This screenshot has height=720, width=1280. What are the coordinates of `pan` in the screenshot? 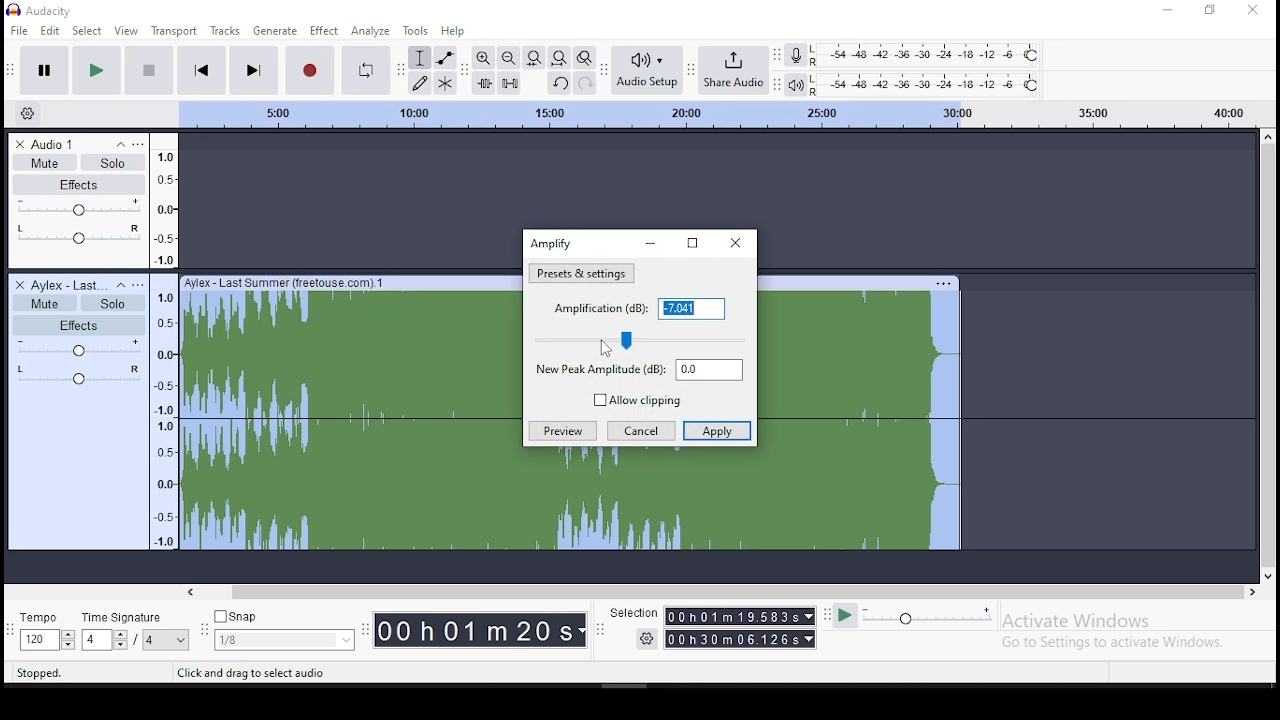 It's located at (79, 235).